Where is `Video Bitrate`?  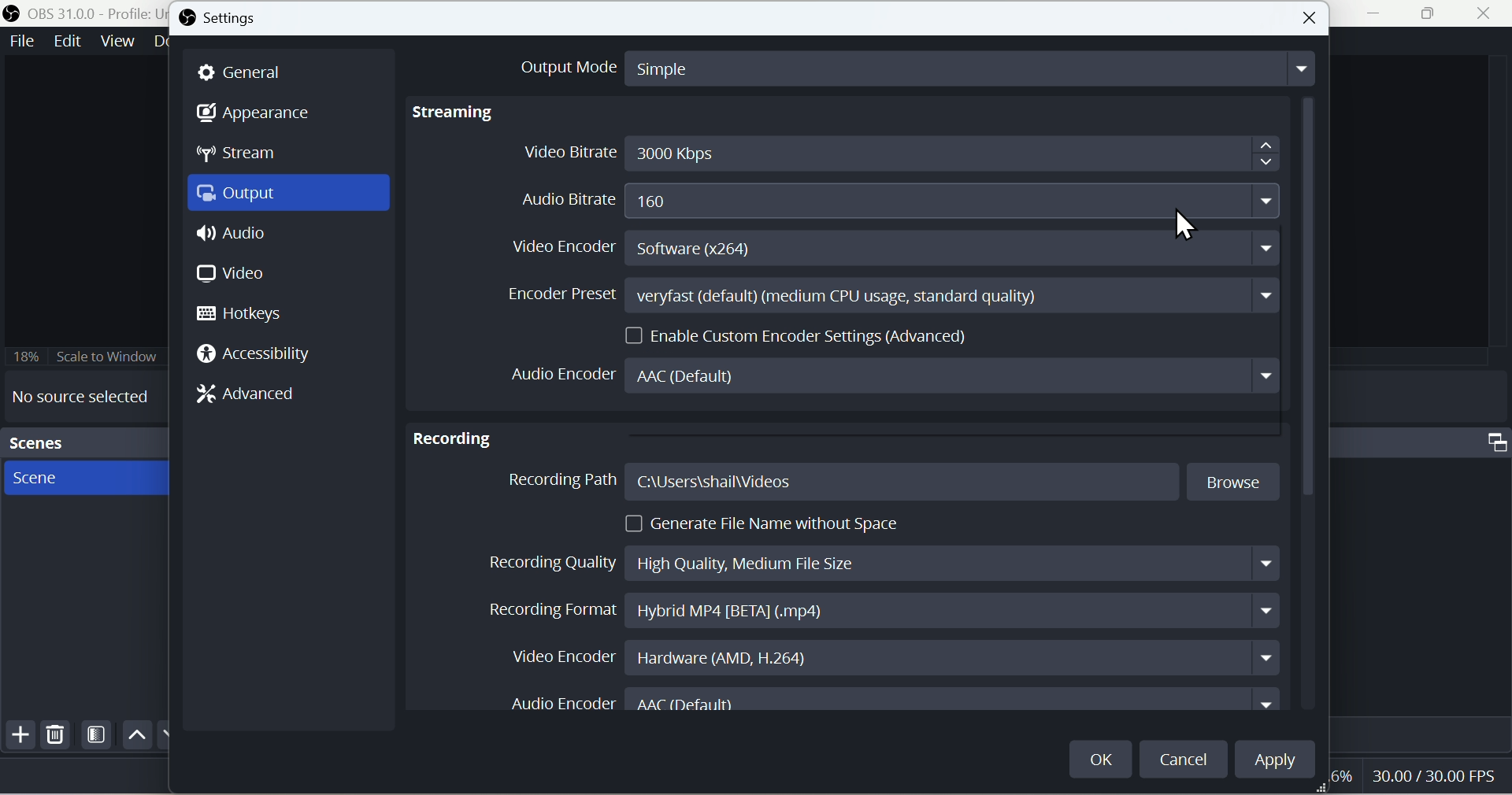 Video Bitrate is located at coordinates (898, 152).